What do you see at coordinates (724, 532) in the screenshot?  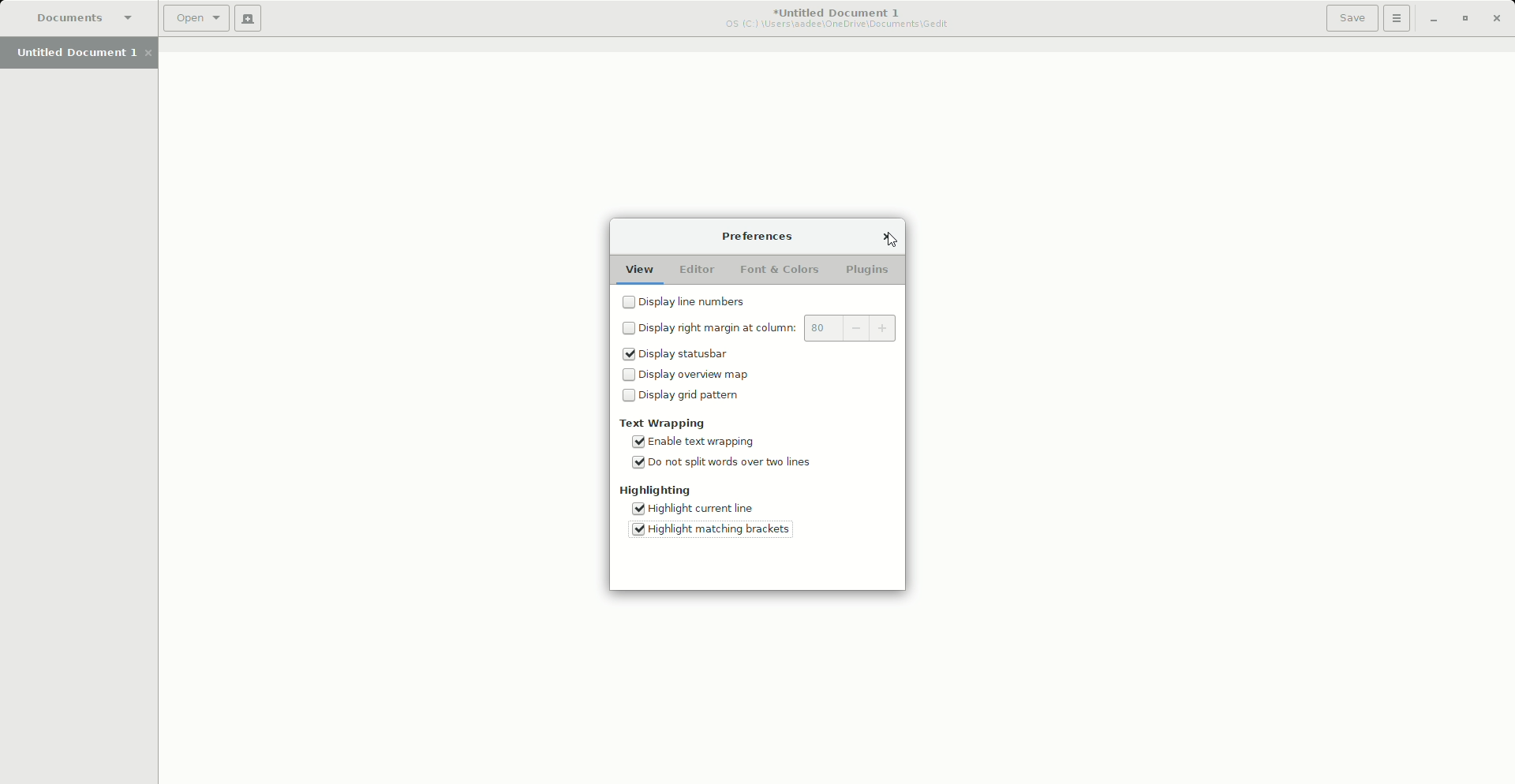 I see `Highlight matching brackets` at bounding box center [724, 532].